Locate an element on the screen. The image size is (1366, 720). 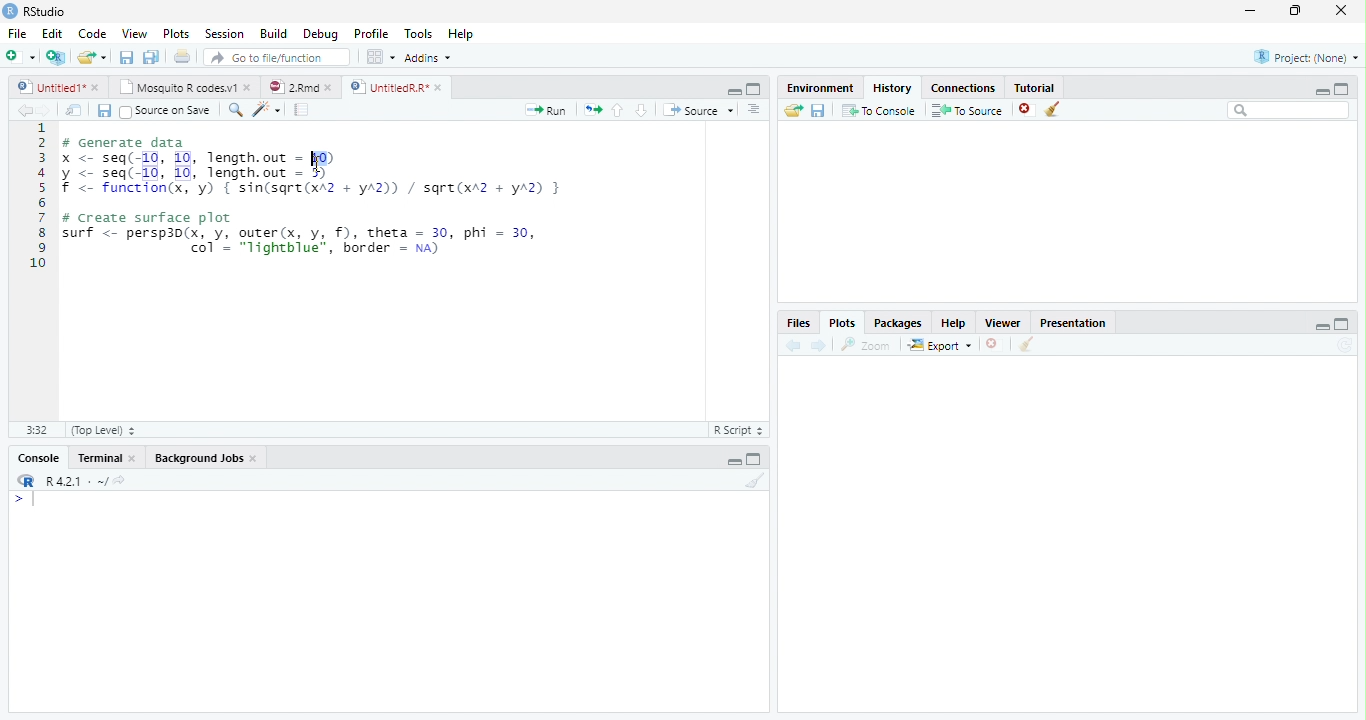
Go forward to next source location is located at coordinates (45, 111).